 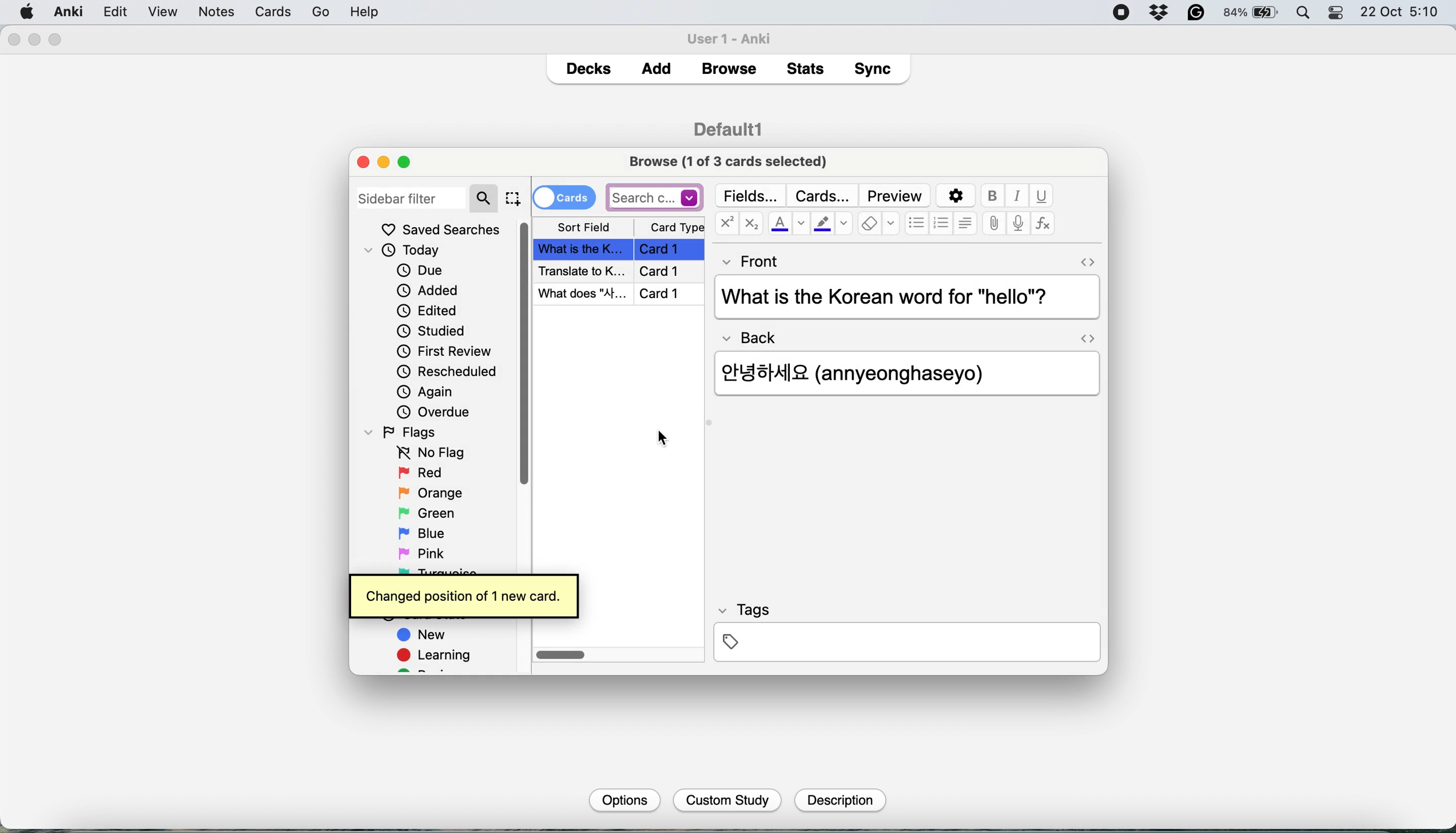 What do you see at coordinates (1017, 225) in the screenshot?
I see `audio recorder` at bounding box center [1017, 225].